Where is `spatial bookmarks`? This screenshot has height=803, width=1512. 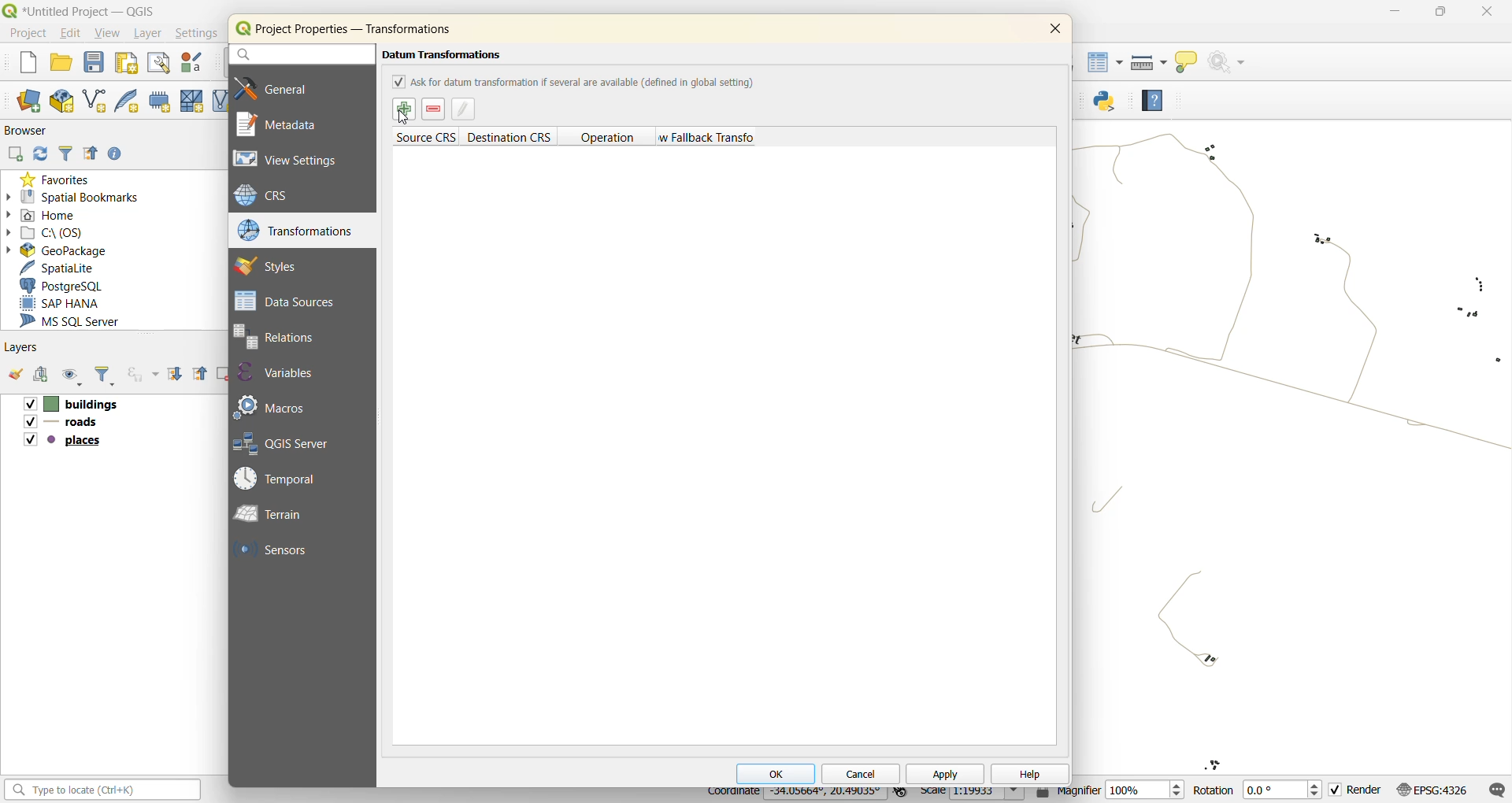 spatial bookmarks is located at coordinates (74, 196).